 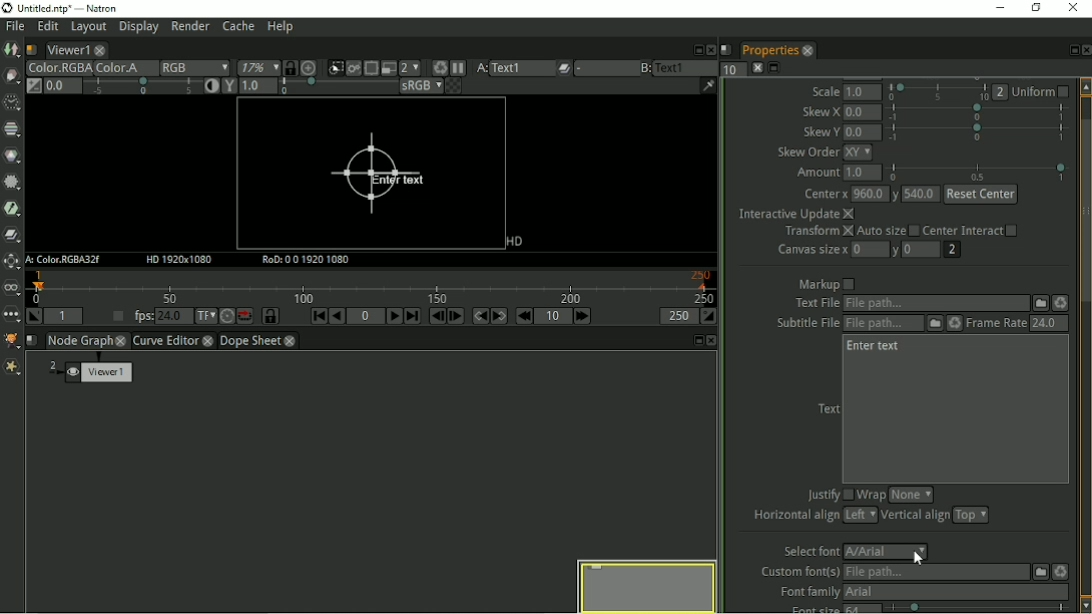 I want to click on 0, so click(x=922, y=248).